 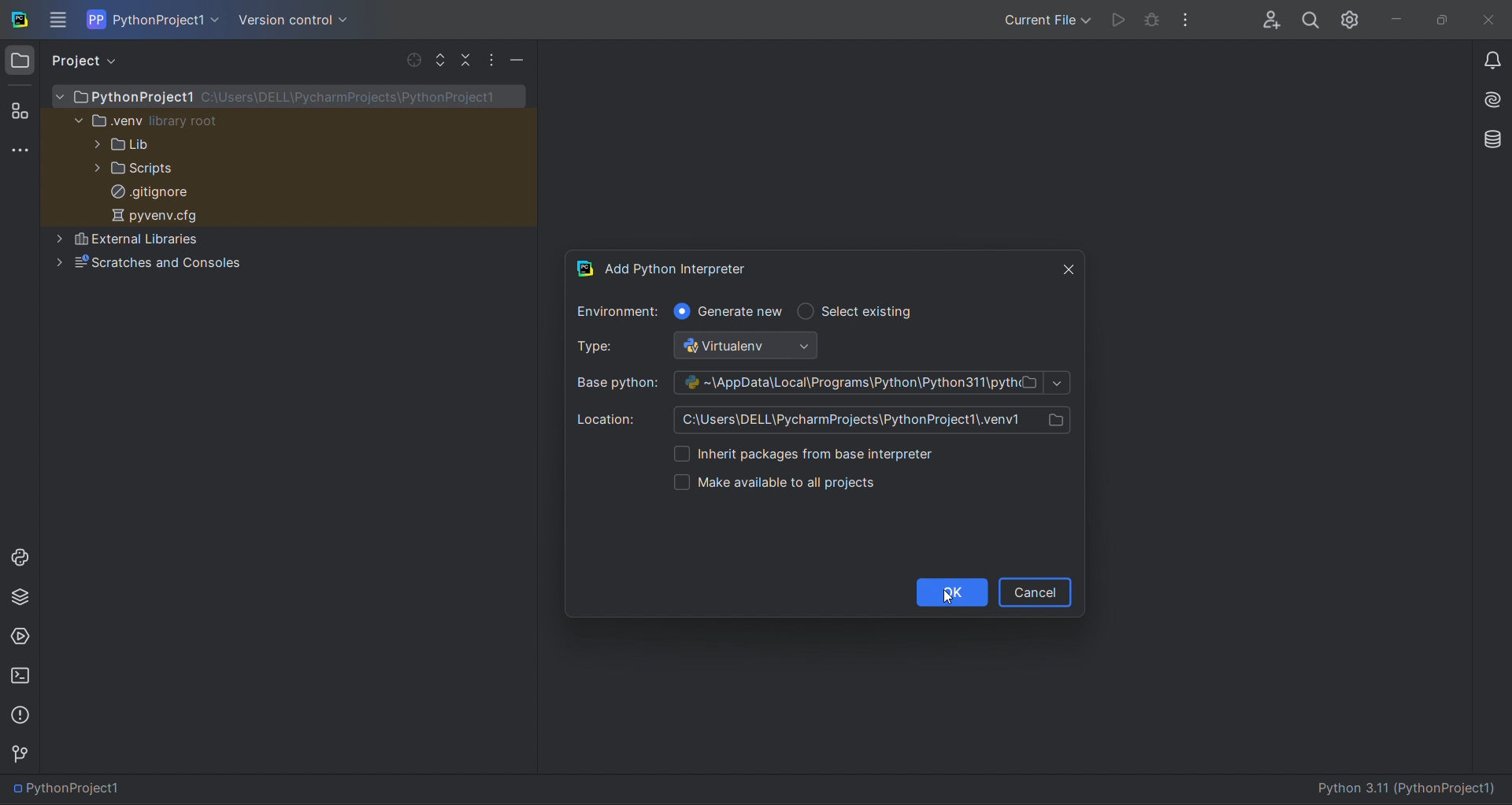 I want to click on minimize, so click(x=1394, y=19).